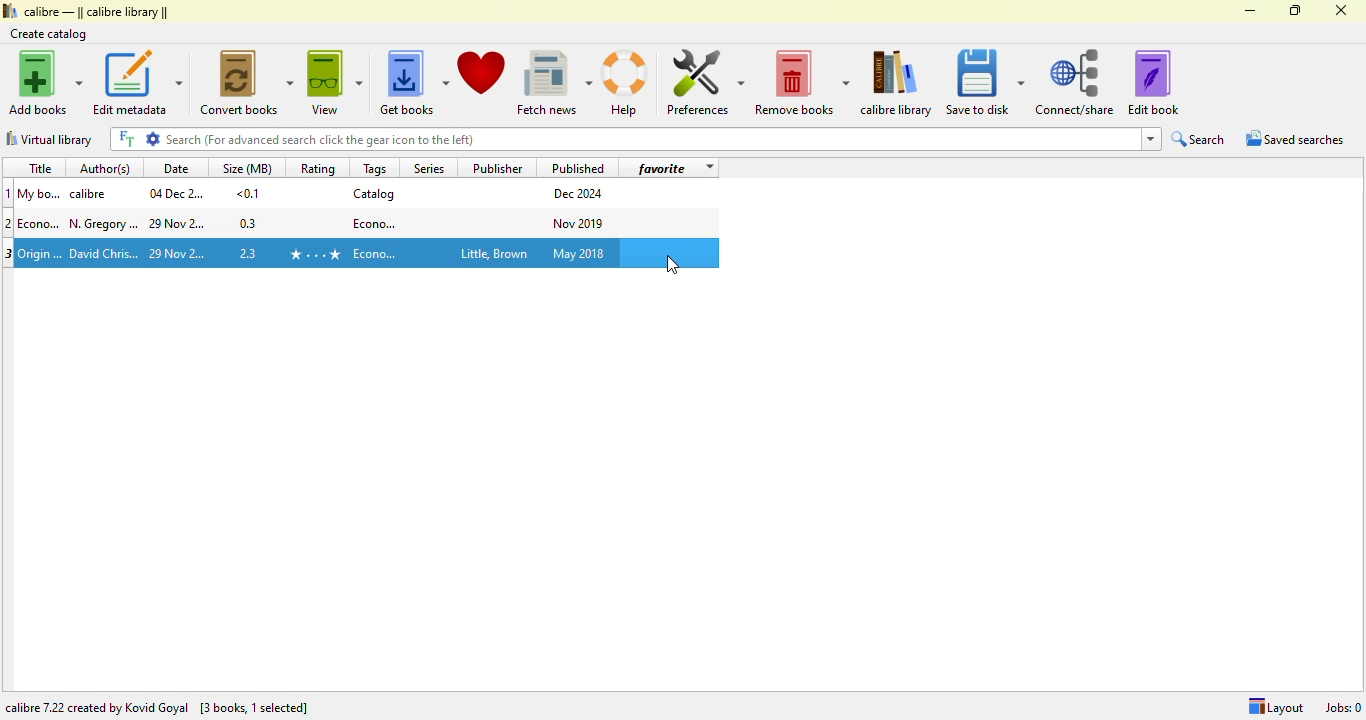 The height and width of the screenshot is (720, 1366). What do you see at coordinates (578, 167) in the screenshot?
I see `published` at bounding box center [578, 167].